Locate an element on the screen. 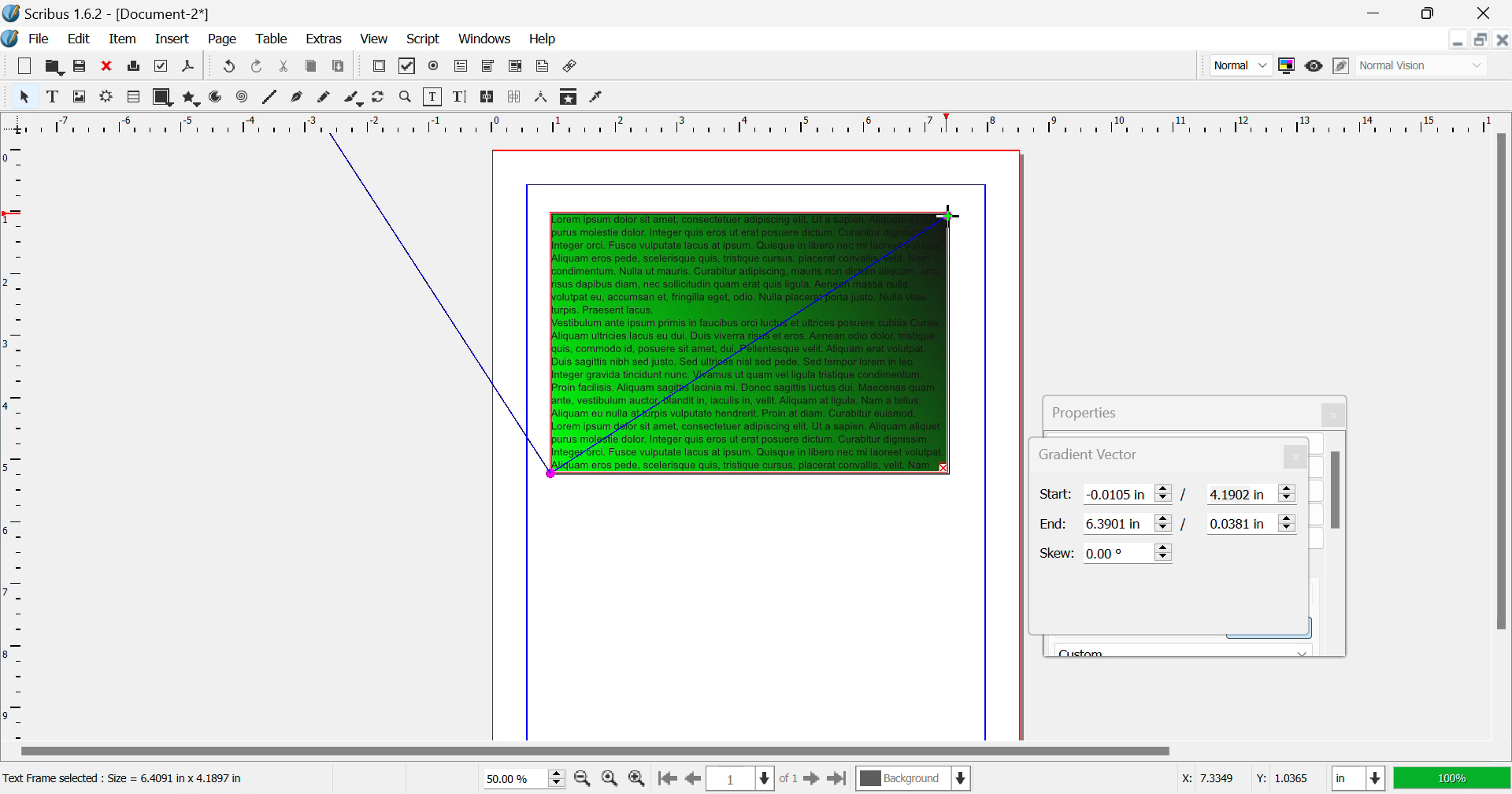 The height and width of the screenshot is (794, 1512). Bezier Curve is located at coordinates (298, 98).